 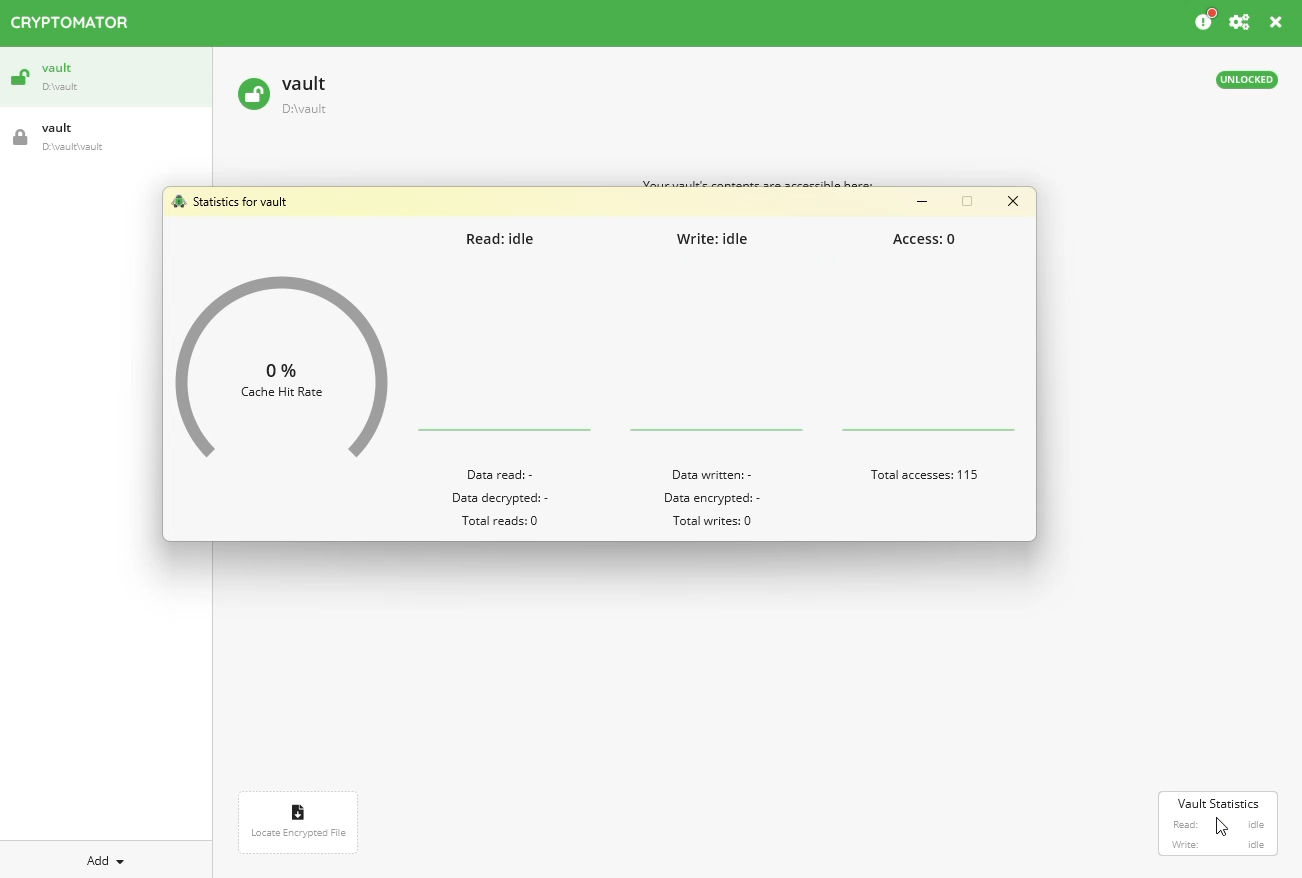 What do you see at coordinates (500, 499) in the screenshot?
I see `data decrypted` at bounding box center [500, 499].